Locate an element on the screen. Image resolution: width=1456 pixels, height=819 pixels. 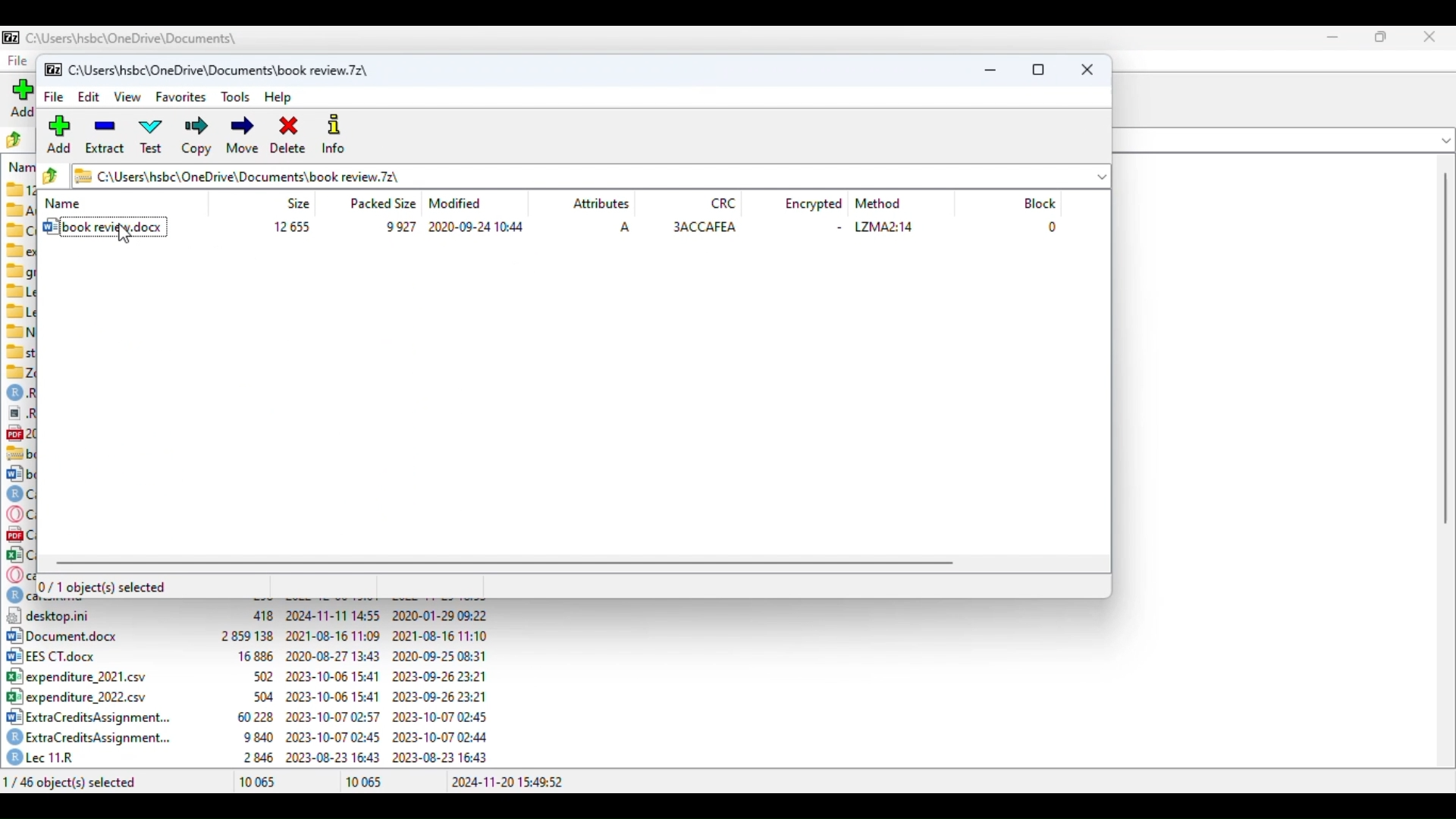
[+2 EES CT.docx 16886 2020-08-27 13:43 2020-09-25 08:31 is located at coordinates (246, 656).